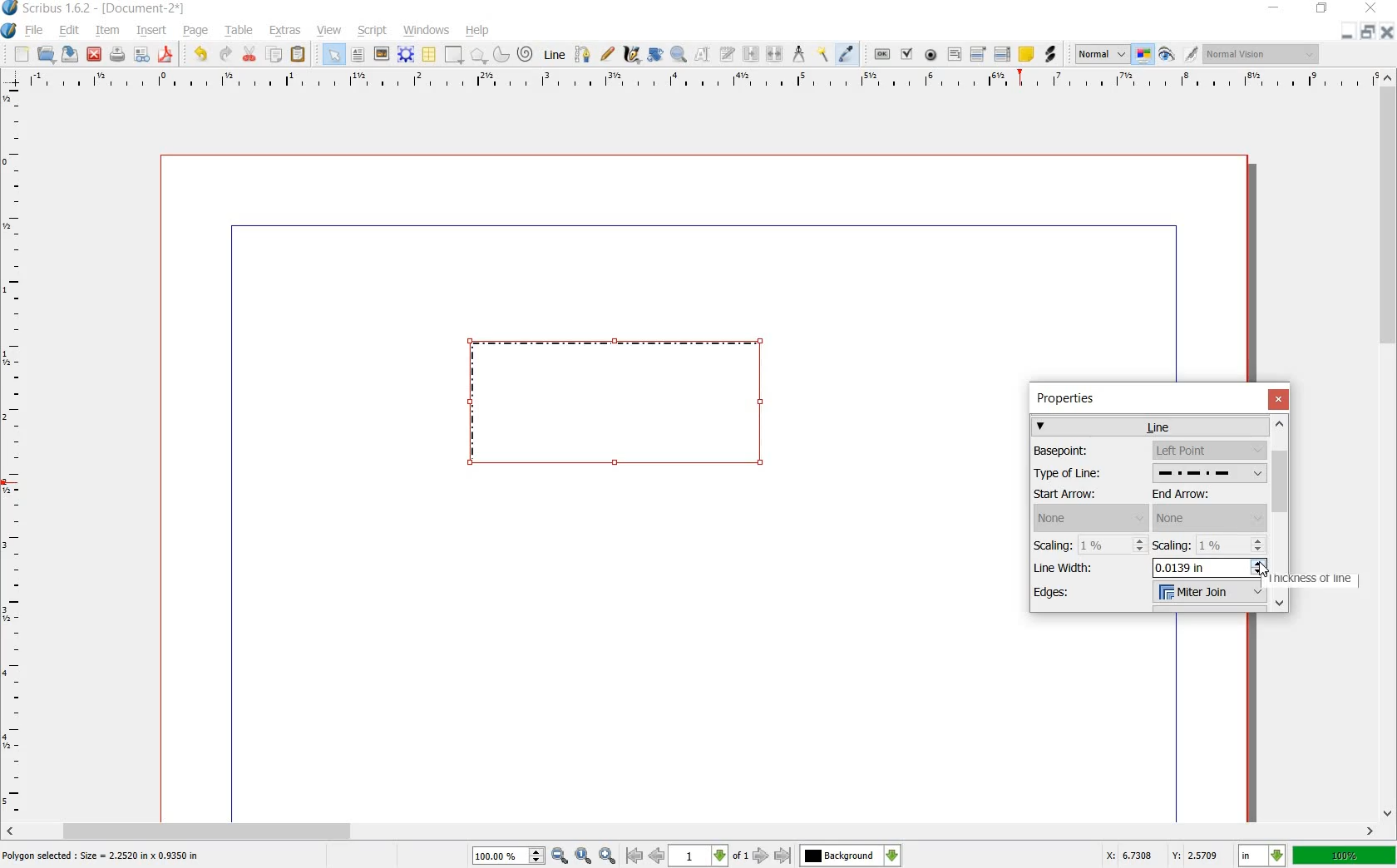 This screenshot has width=1397, height=868. Describe the element at coordinates (430, 55) in the screenshot. I see `TABLE` at that location.